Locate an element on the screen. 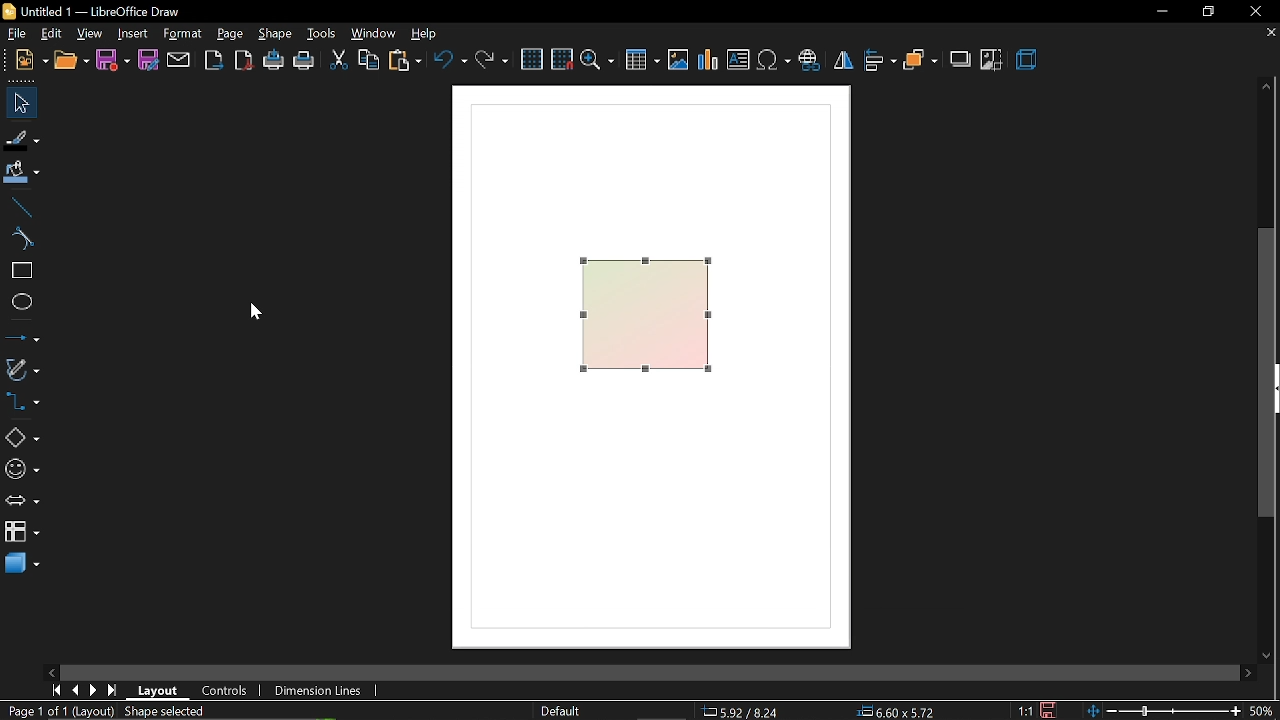 The width and height of the screenshot is (1280, 720). open is located at coordinates (70, 61).